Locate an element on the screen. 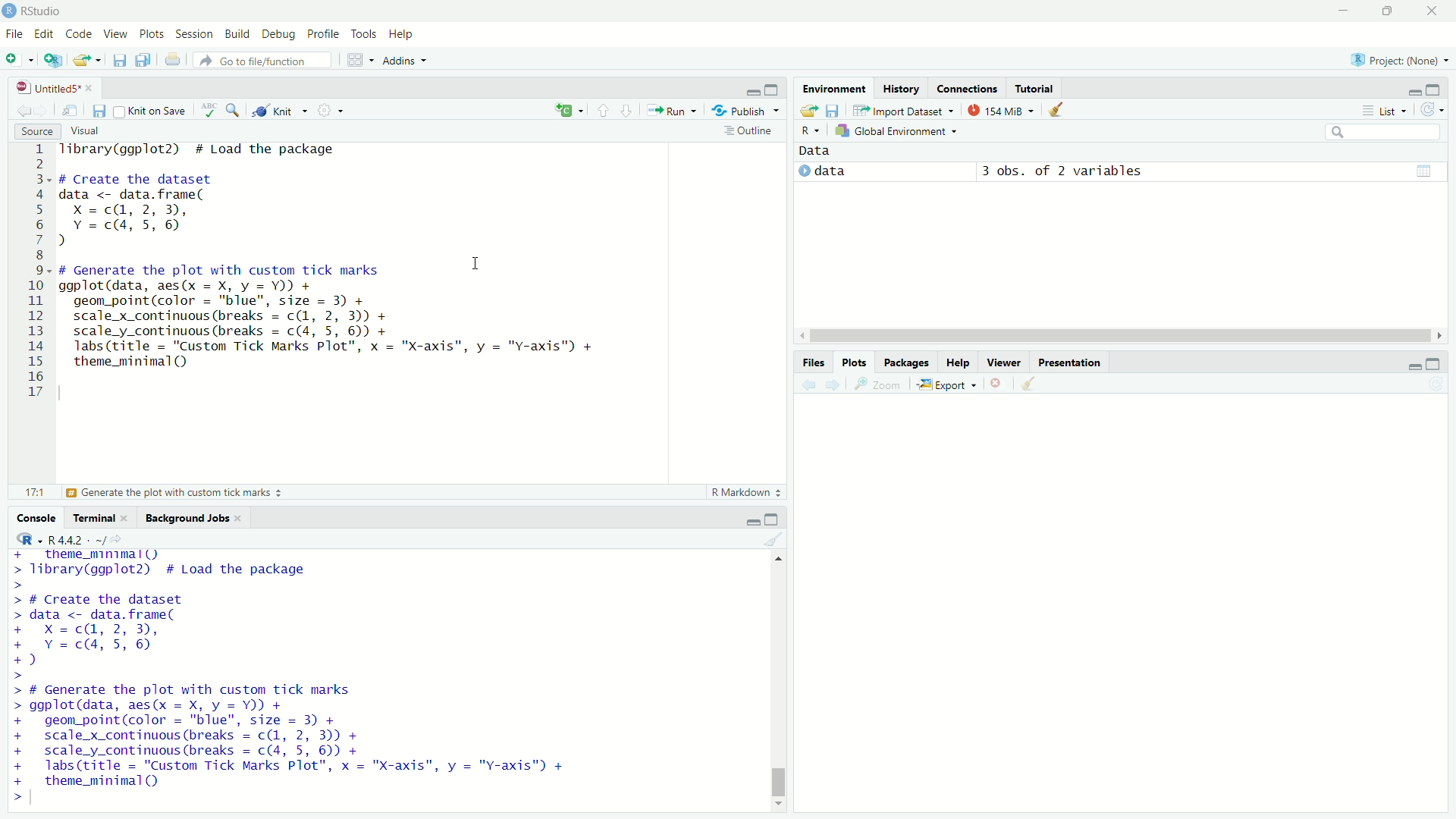 The height and width of the screenshot is (819, 1456). close is located at coordinates (93, 86).